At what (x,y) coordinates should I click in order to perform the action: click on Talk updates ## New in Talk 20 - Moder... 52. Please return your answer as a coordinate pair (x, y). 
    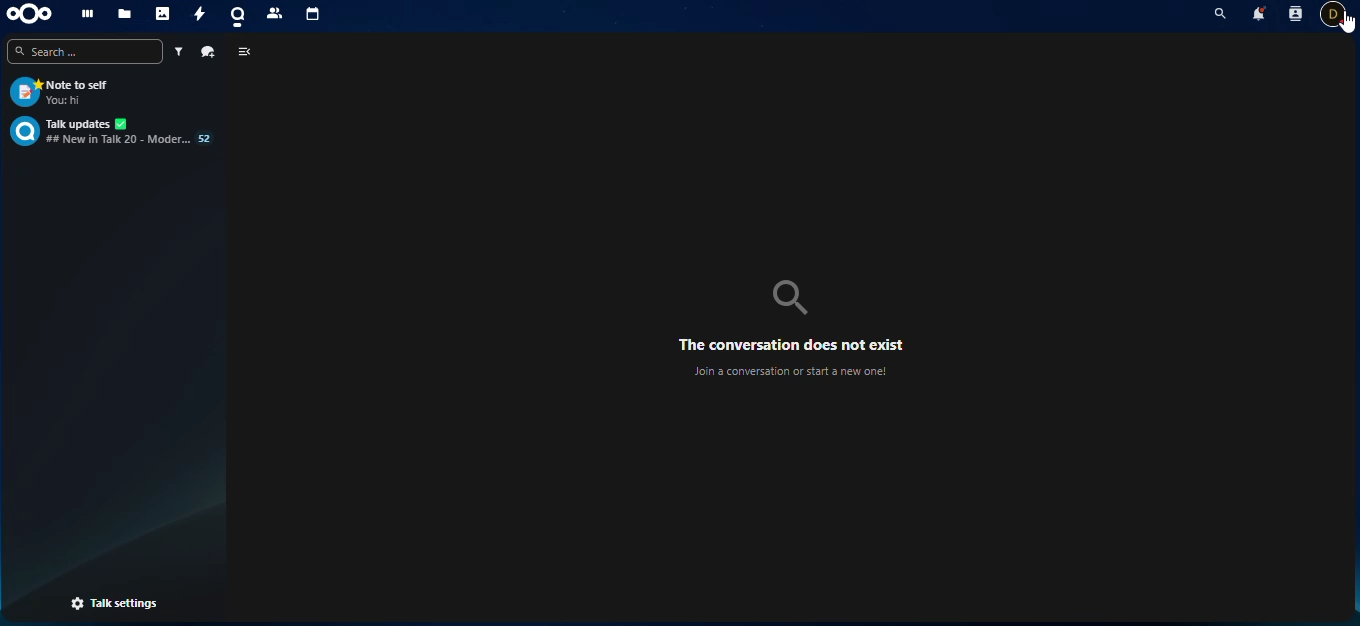
    Looking at the image, I should click on (113, 131).